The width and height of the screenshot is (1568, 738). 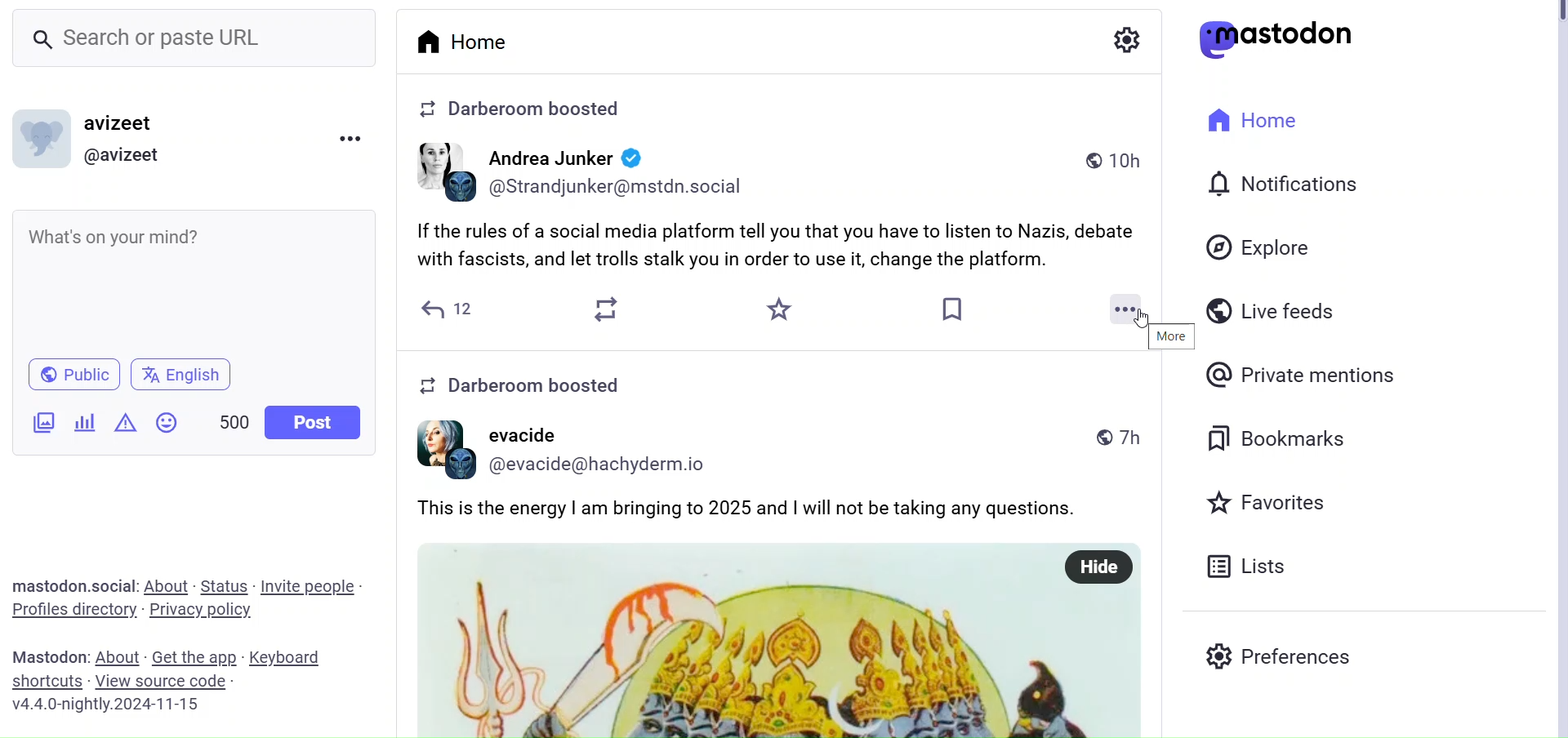 I want to click on Boost, so click(x=604, y=308).